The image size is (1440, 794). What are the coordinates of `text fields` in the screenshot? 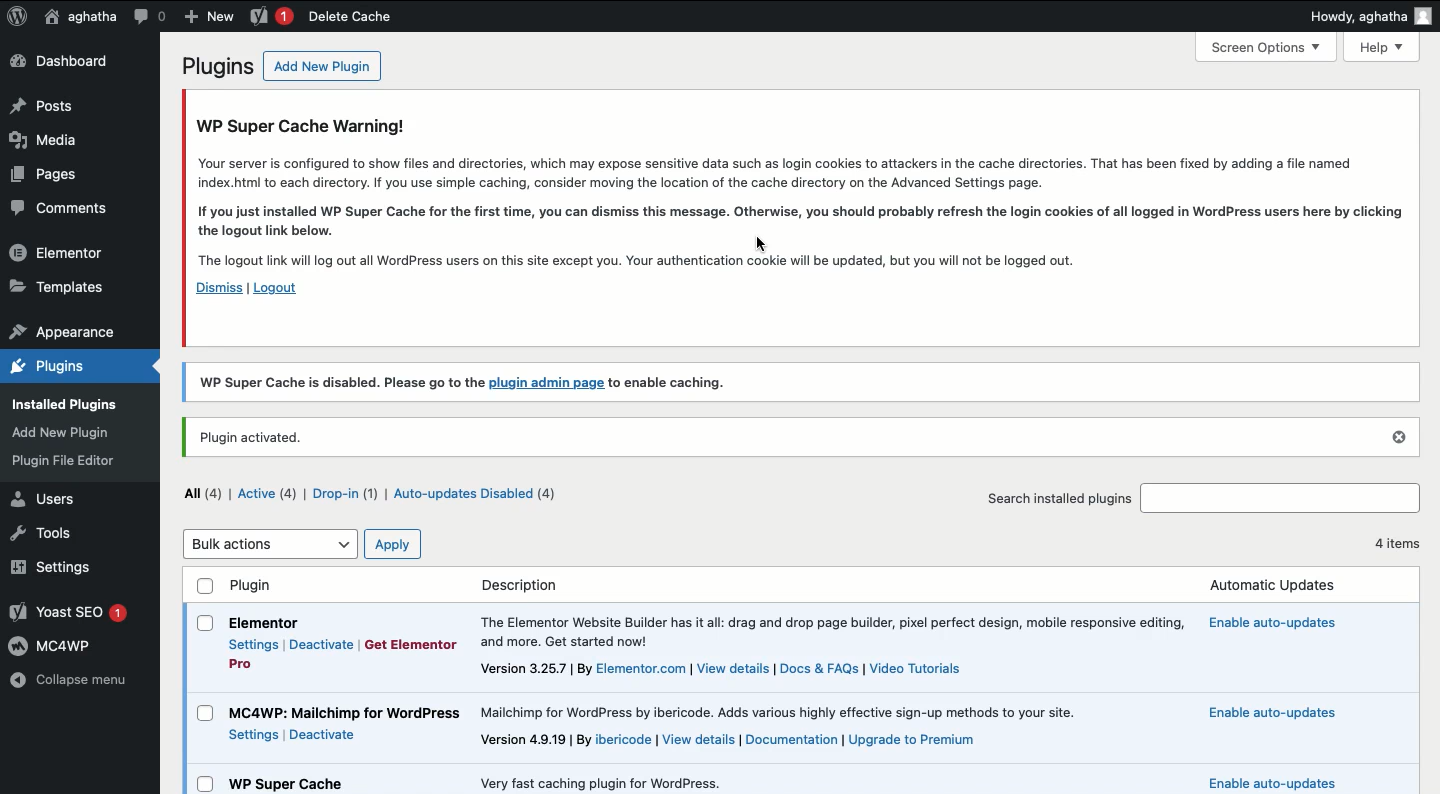 It's located at (1281, 500).